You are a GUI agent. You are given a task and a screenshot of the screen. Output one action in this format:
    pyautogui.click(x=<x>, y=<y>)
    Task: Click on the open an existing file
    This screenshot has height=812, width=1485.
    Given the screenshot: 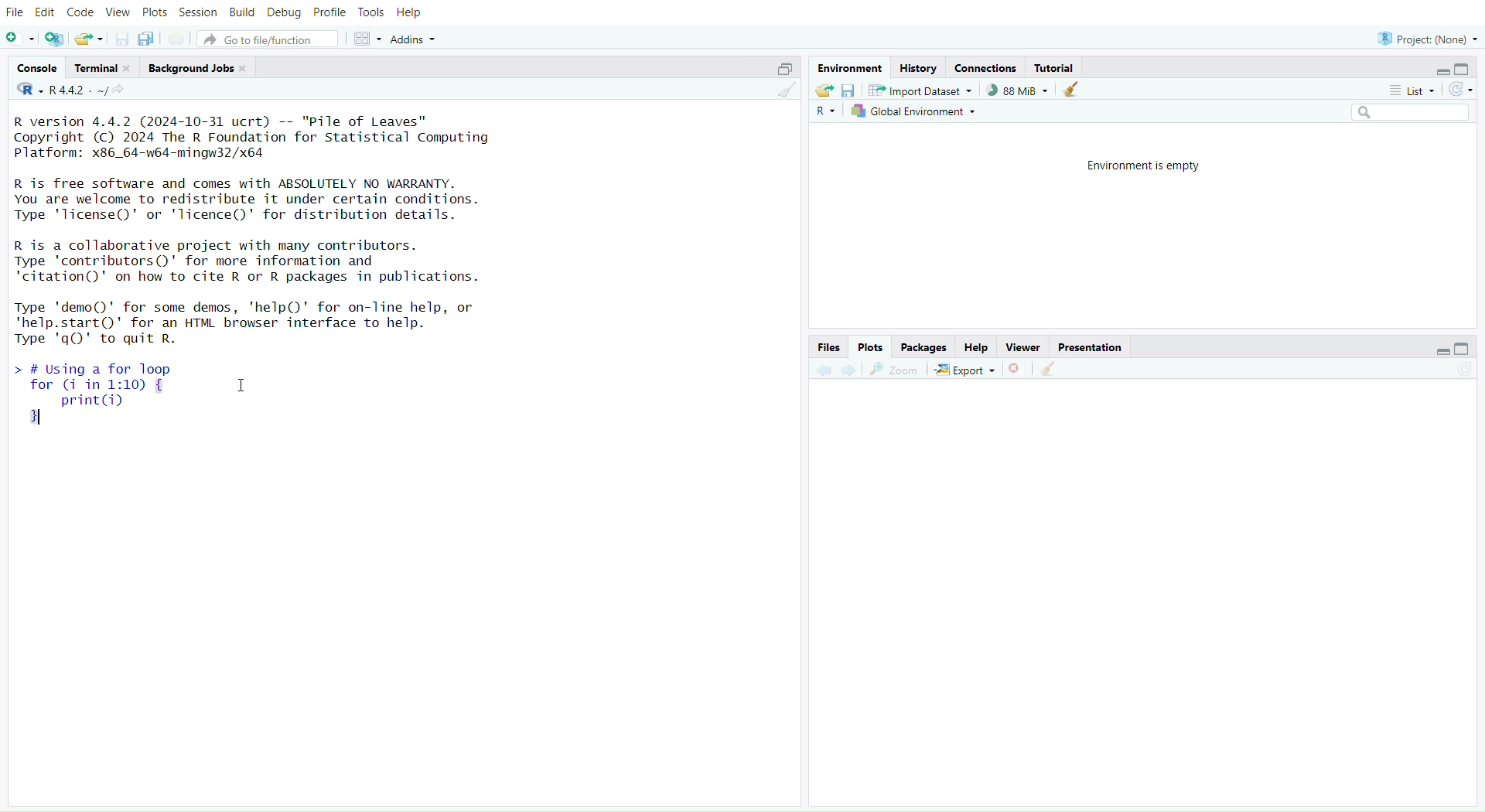 What is the action you would take?
    pyautogui.click(x=89, y=39)
    